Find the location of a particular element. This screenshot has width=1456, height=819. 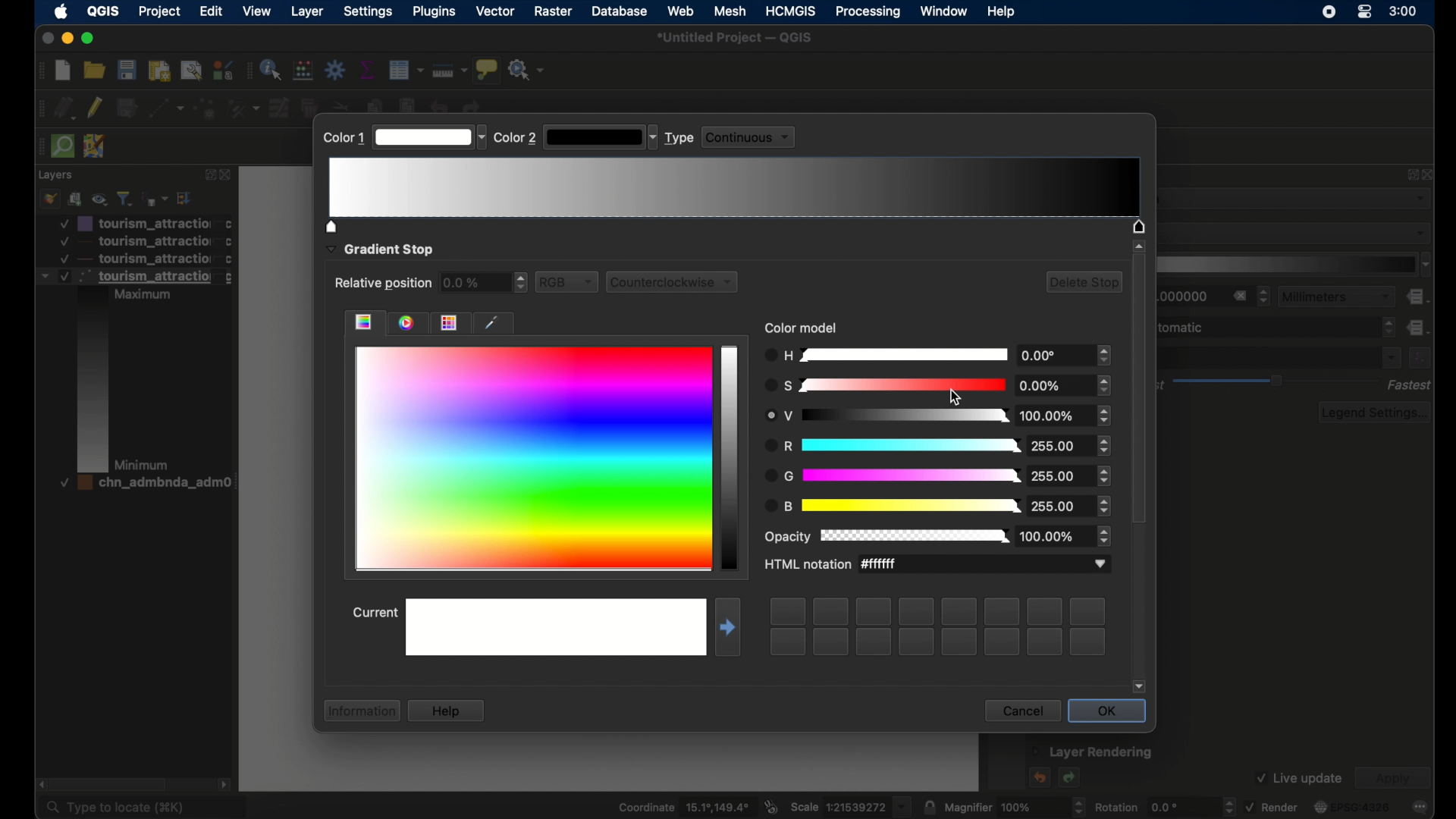

drag handle is located at coordinates (39, 109).